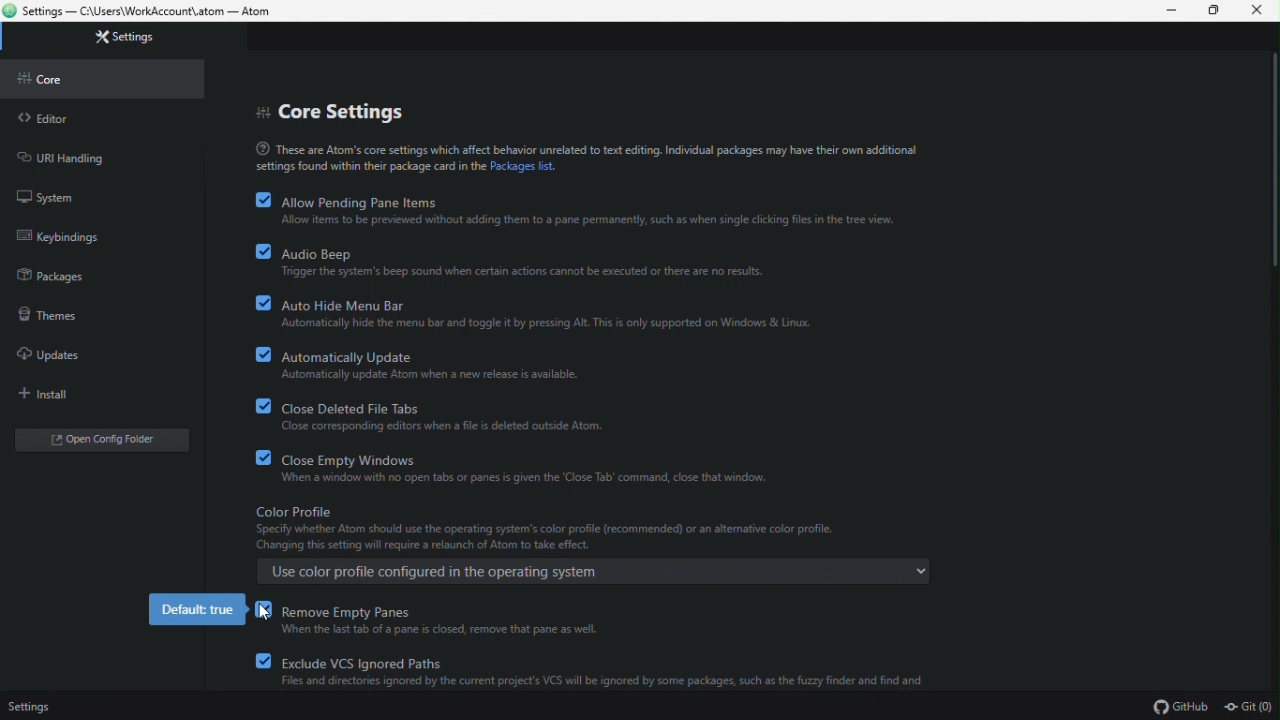  Describe the element at coordinates (263, 614) in the screenshot. I see `checkbox` at that location.